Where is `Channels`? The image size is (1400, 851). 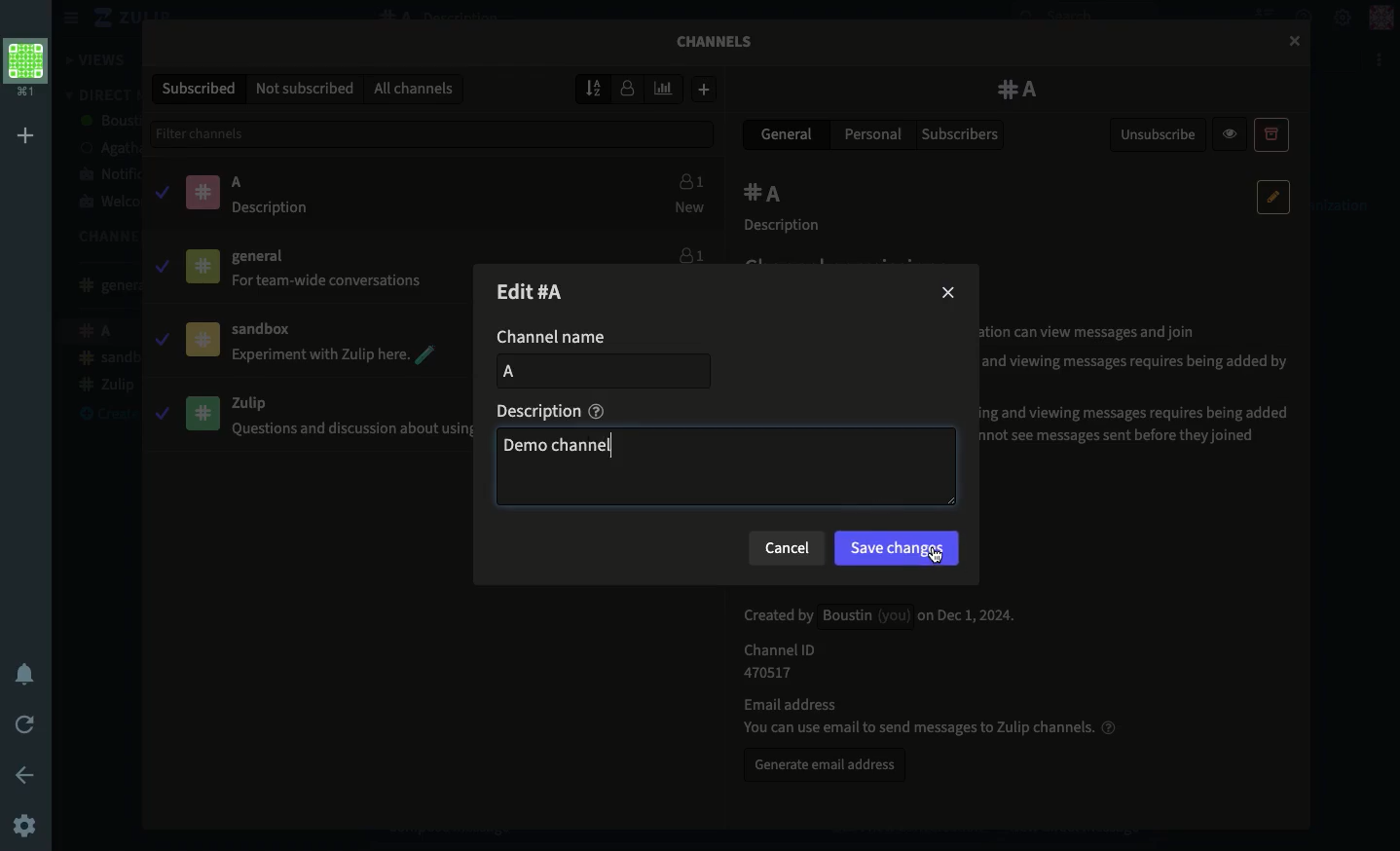
Channels is located at coordinates (722, 47).